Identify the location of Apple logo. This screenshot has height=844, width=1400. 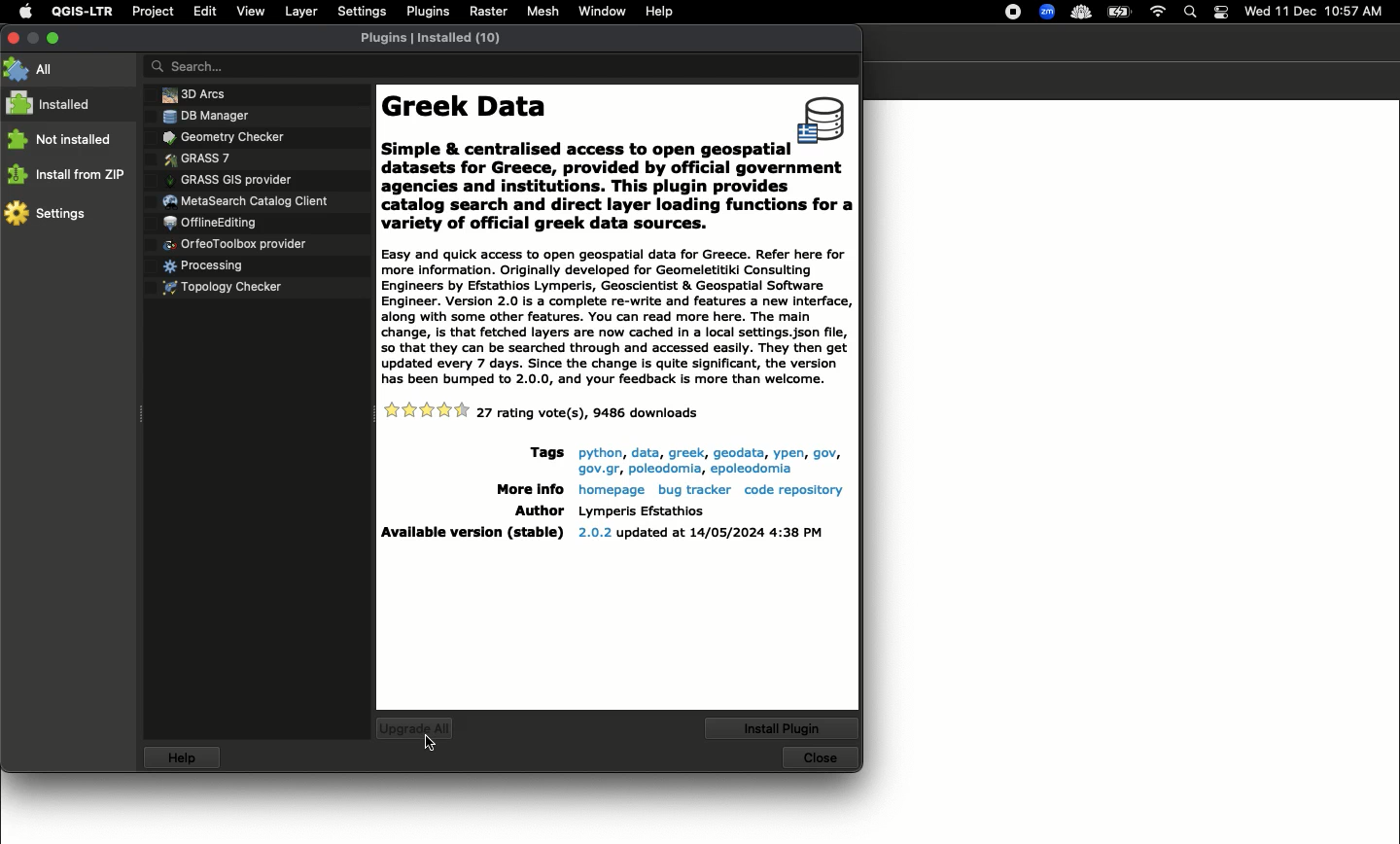
(25, 13).